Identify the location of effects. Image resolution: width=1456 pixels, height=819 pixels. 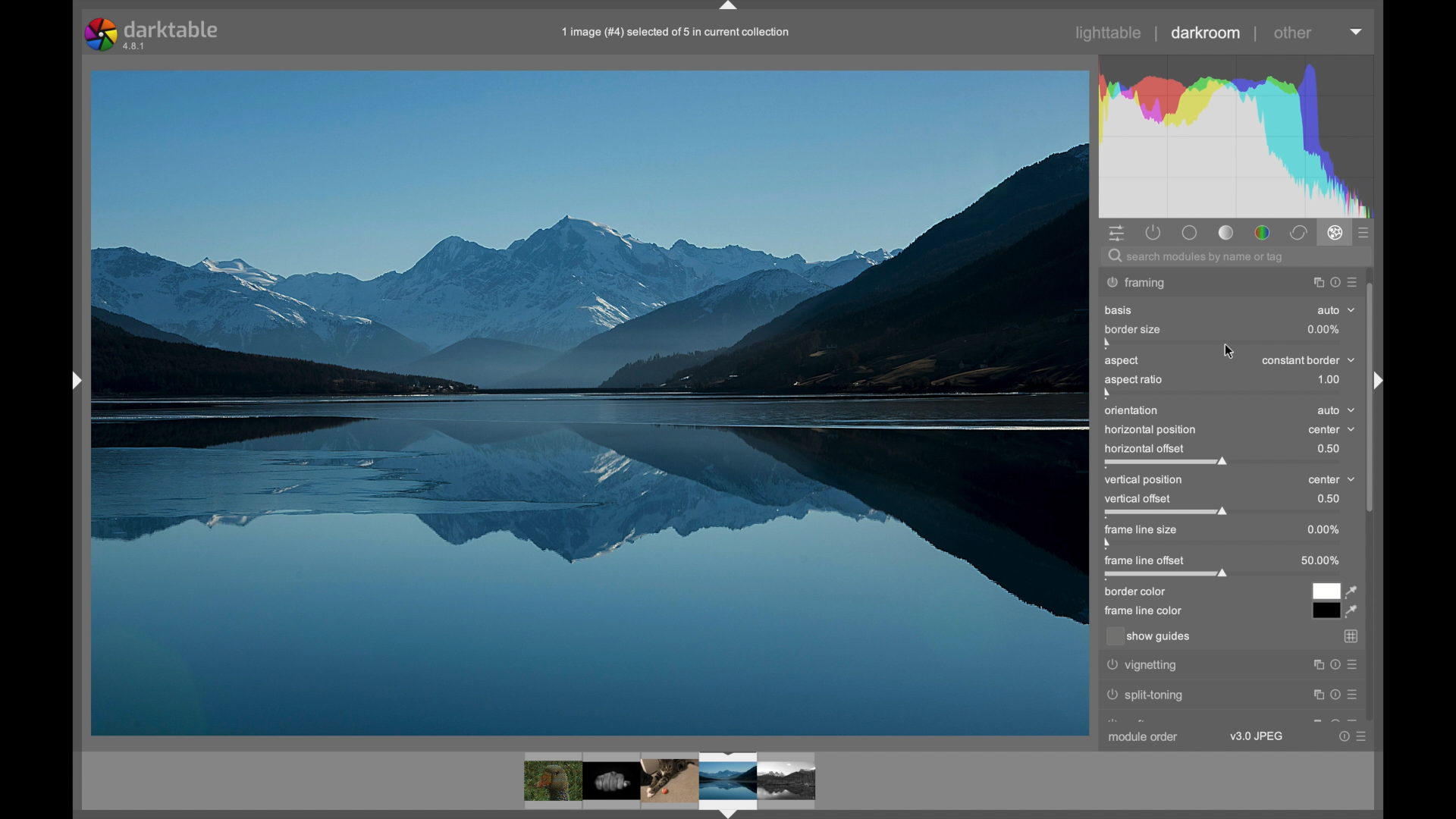
(1336, 232).